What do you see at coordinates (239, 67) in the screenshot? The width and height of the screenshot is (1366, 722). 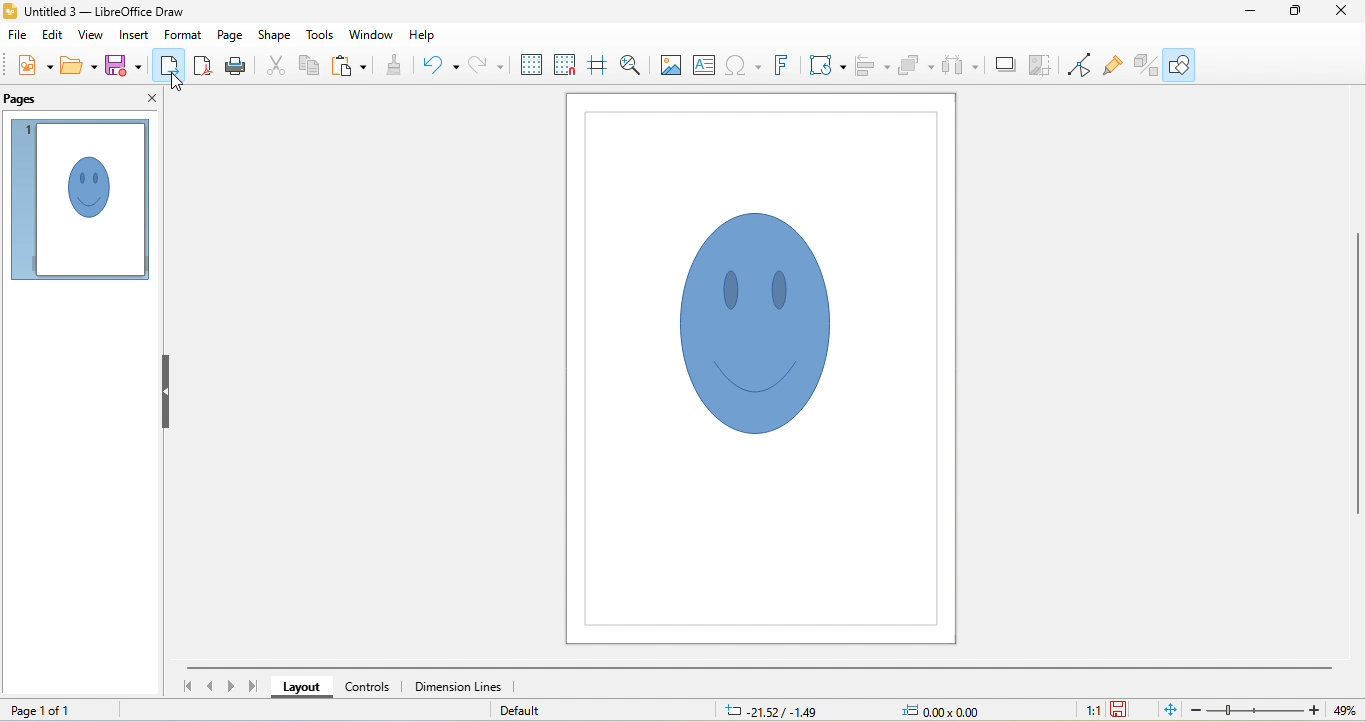 I see `print` at bounding box center [239, 67].